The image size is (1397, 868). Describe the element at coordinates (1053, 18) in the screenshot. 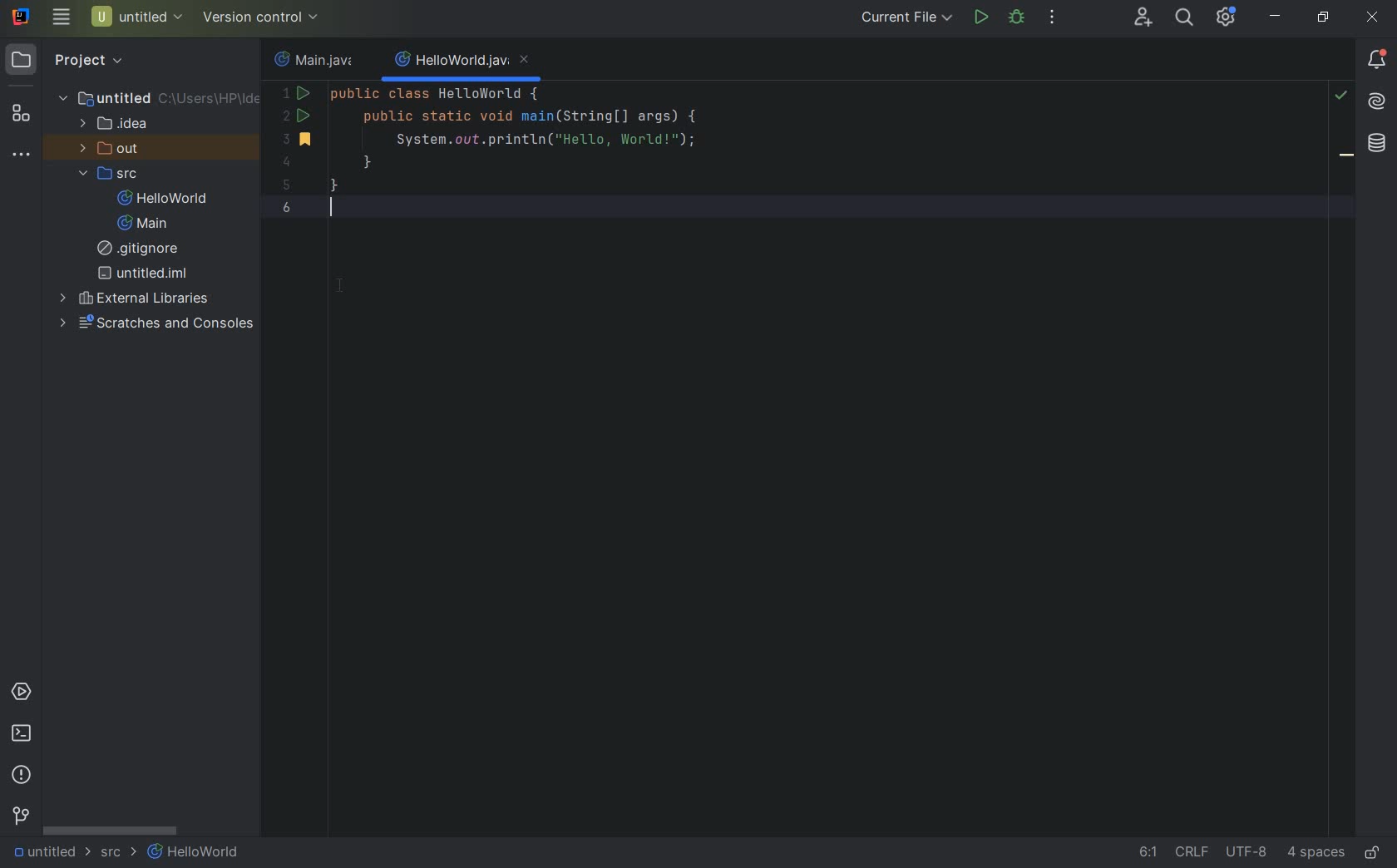

I see `more actions` at that location.